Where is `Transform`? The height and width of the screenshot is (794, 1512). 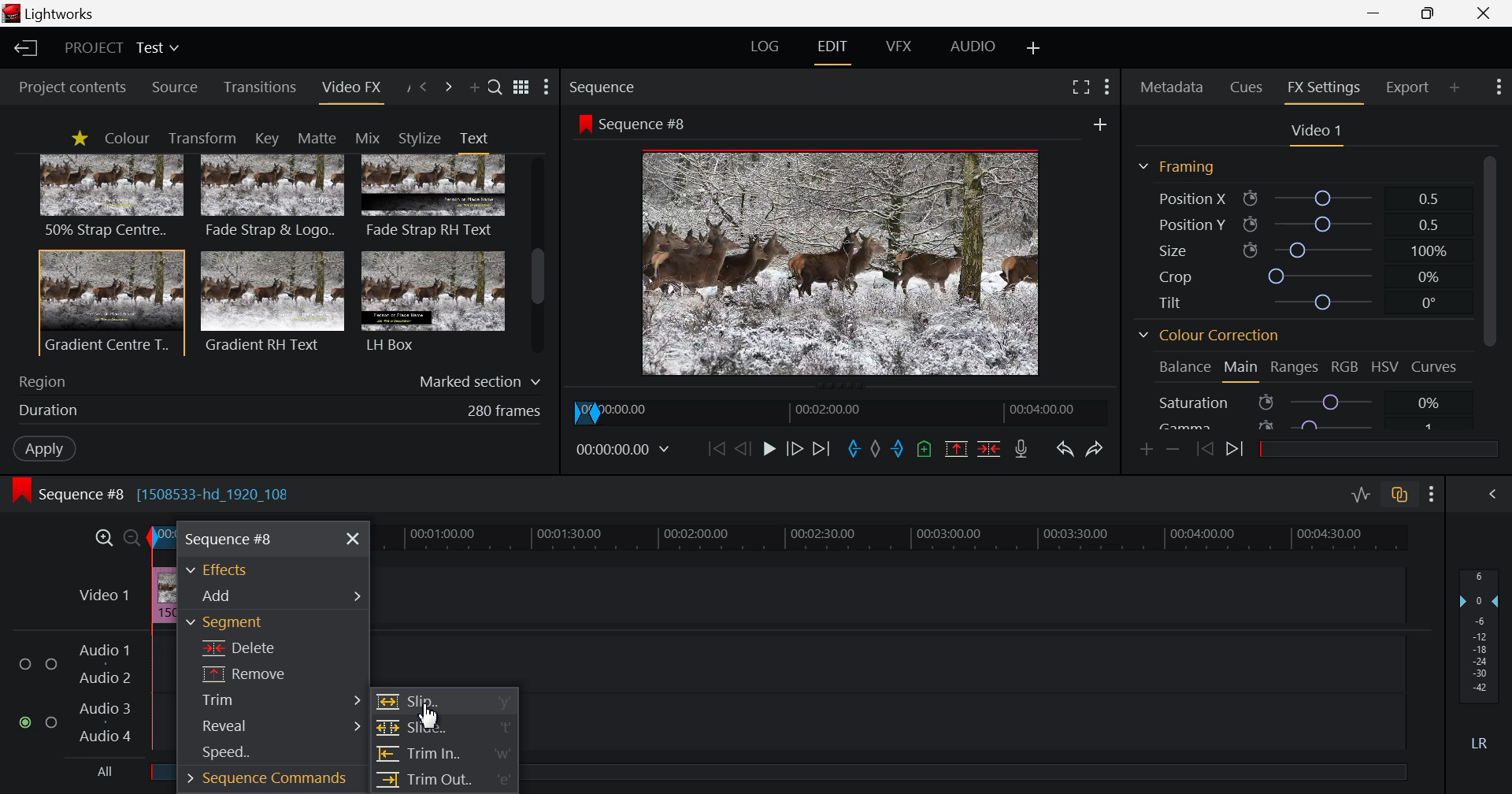 Transform is located at coordinates (206, 139).